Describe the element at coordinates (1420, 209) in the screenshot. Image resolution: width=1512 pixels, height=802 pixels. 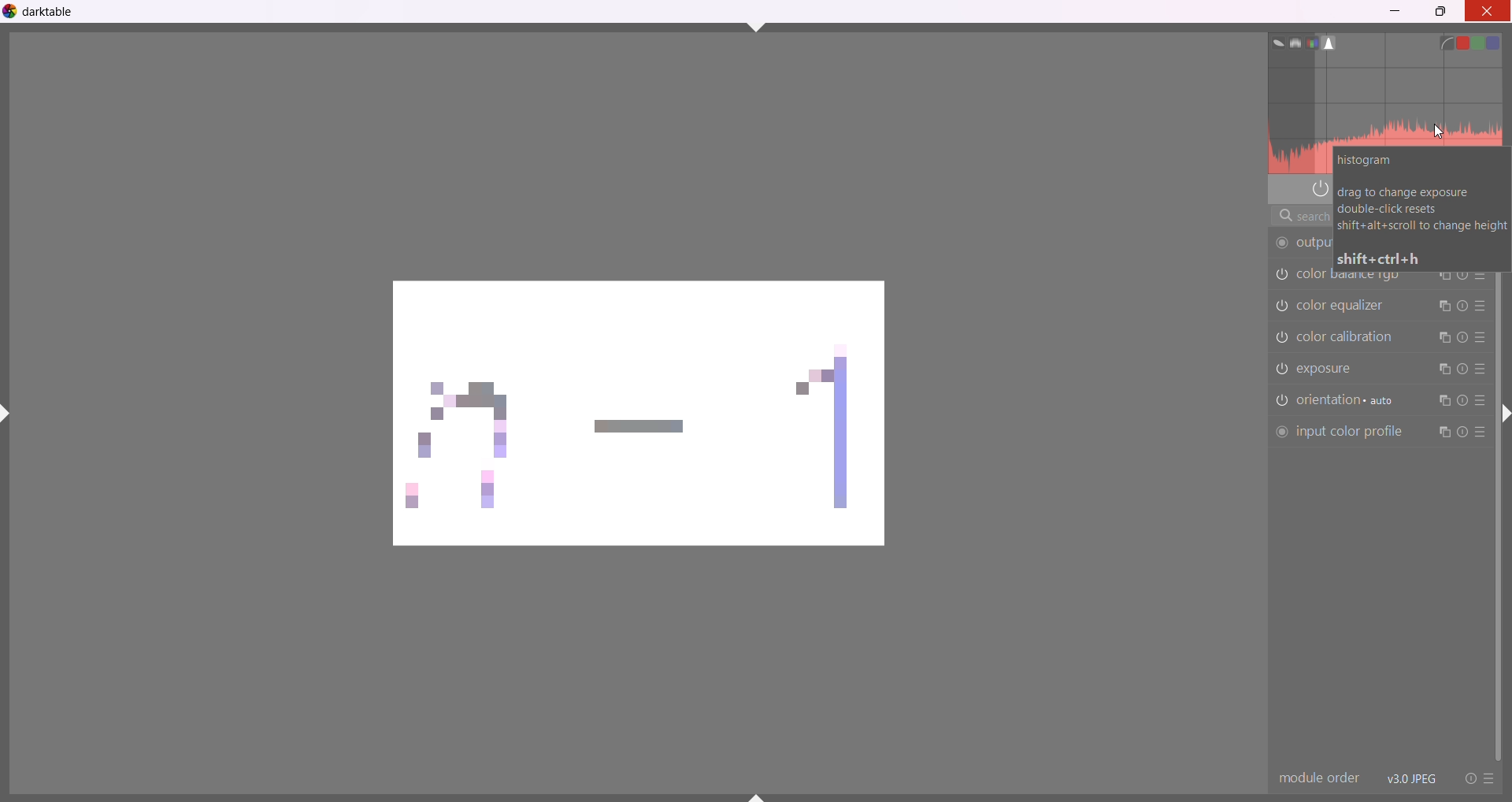
I see `information` at that location.